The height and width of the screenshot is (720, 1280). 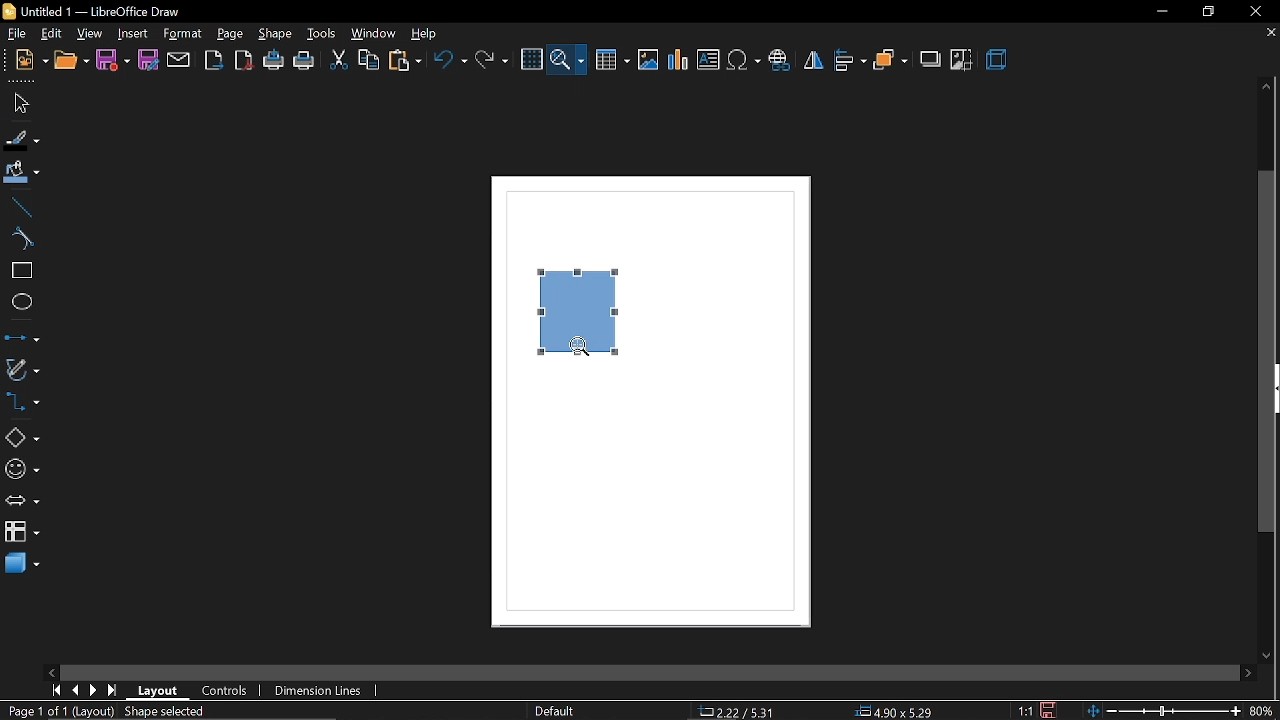 I want to click on move left, so click(x=51, y=672).